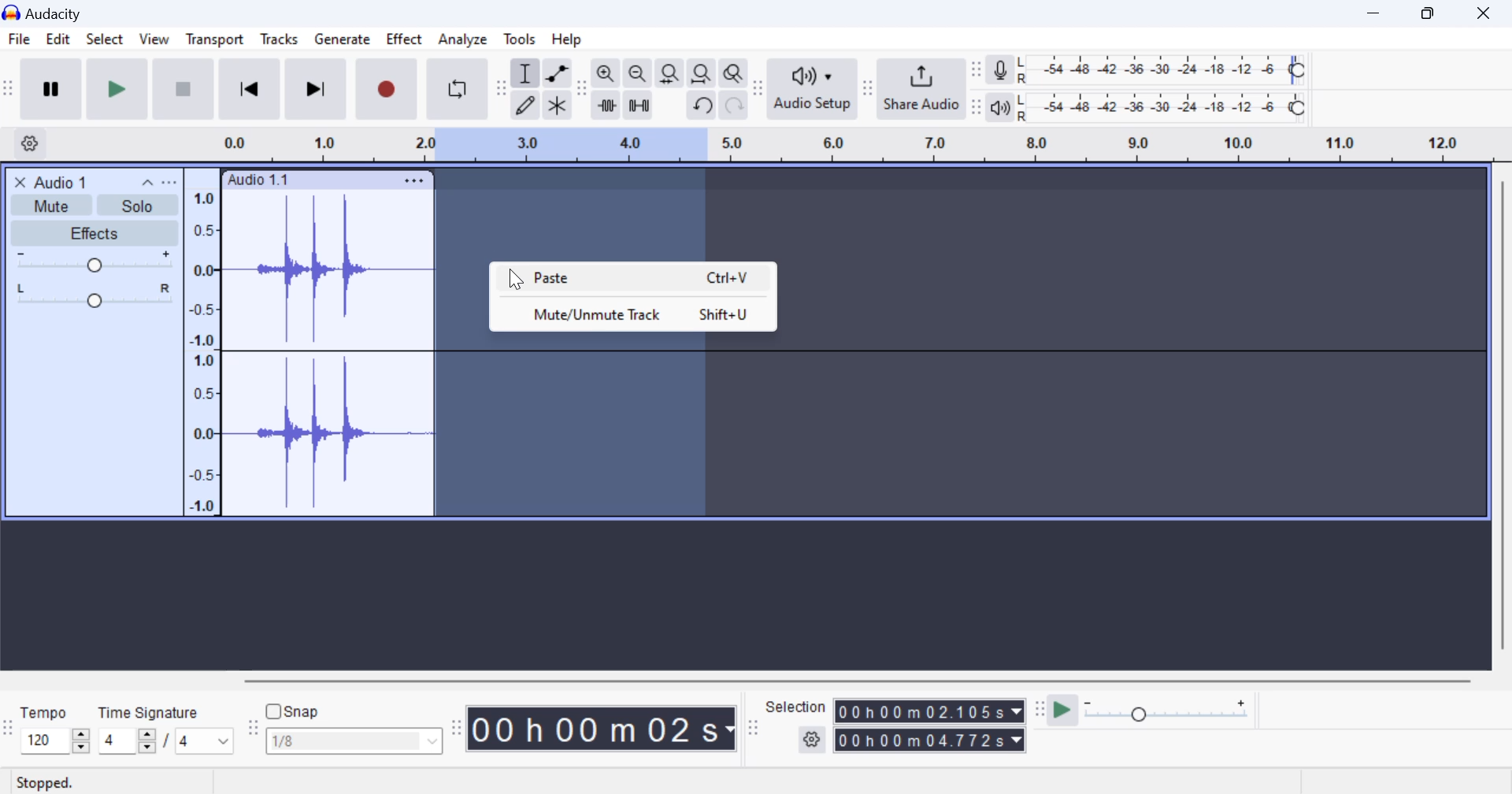 Image resolution: width=1512 pixels, height=794 pixels. What do you see at coordinates (93, 233) in the screenshot?
I see `Effects` at bounding box center [93, 233].